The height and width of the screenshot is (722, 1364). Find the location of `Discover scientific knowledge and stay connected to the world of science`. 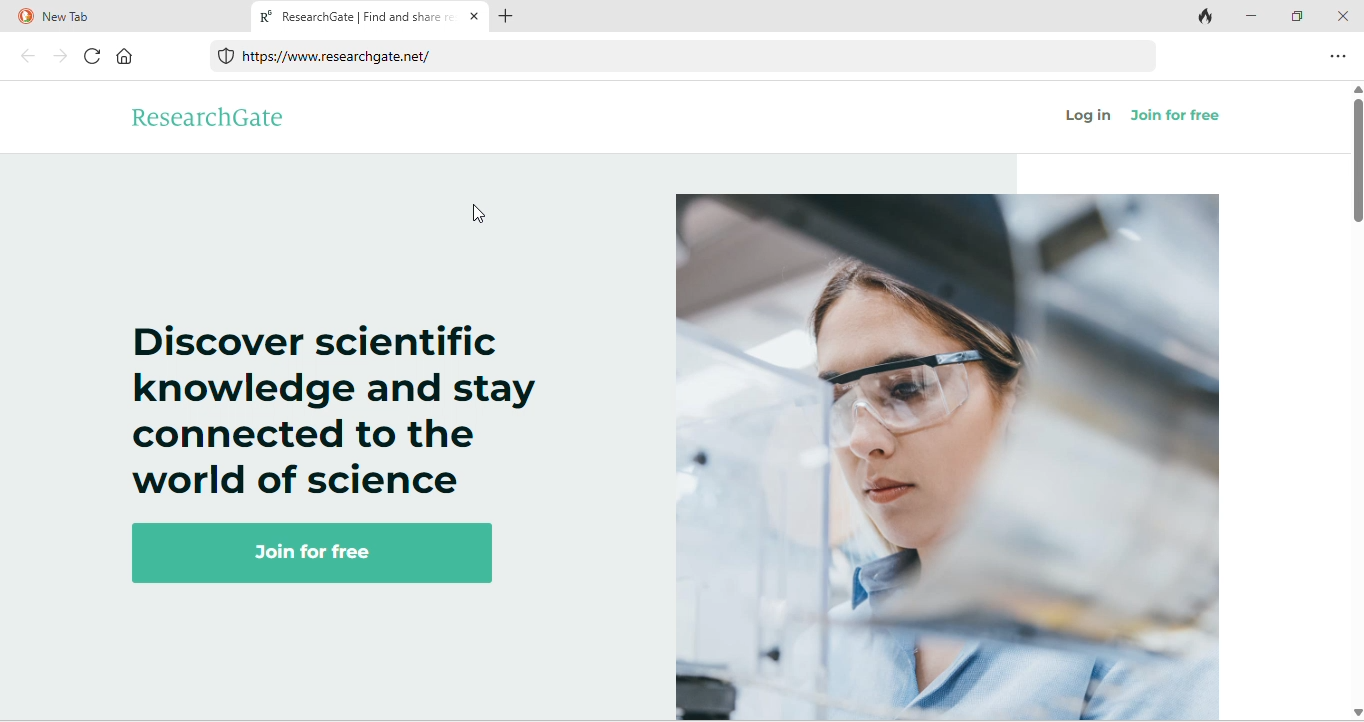

Discover scientific knowledge and stay connected to the world of science is located at coordinates (336, 408).